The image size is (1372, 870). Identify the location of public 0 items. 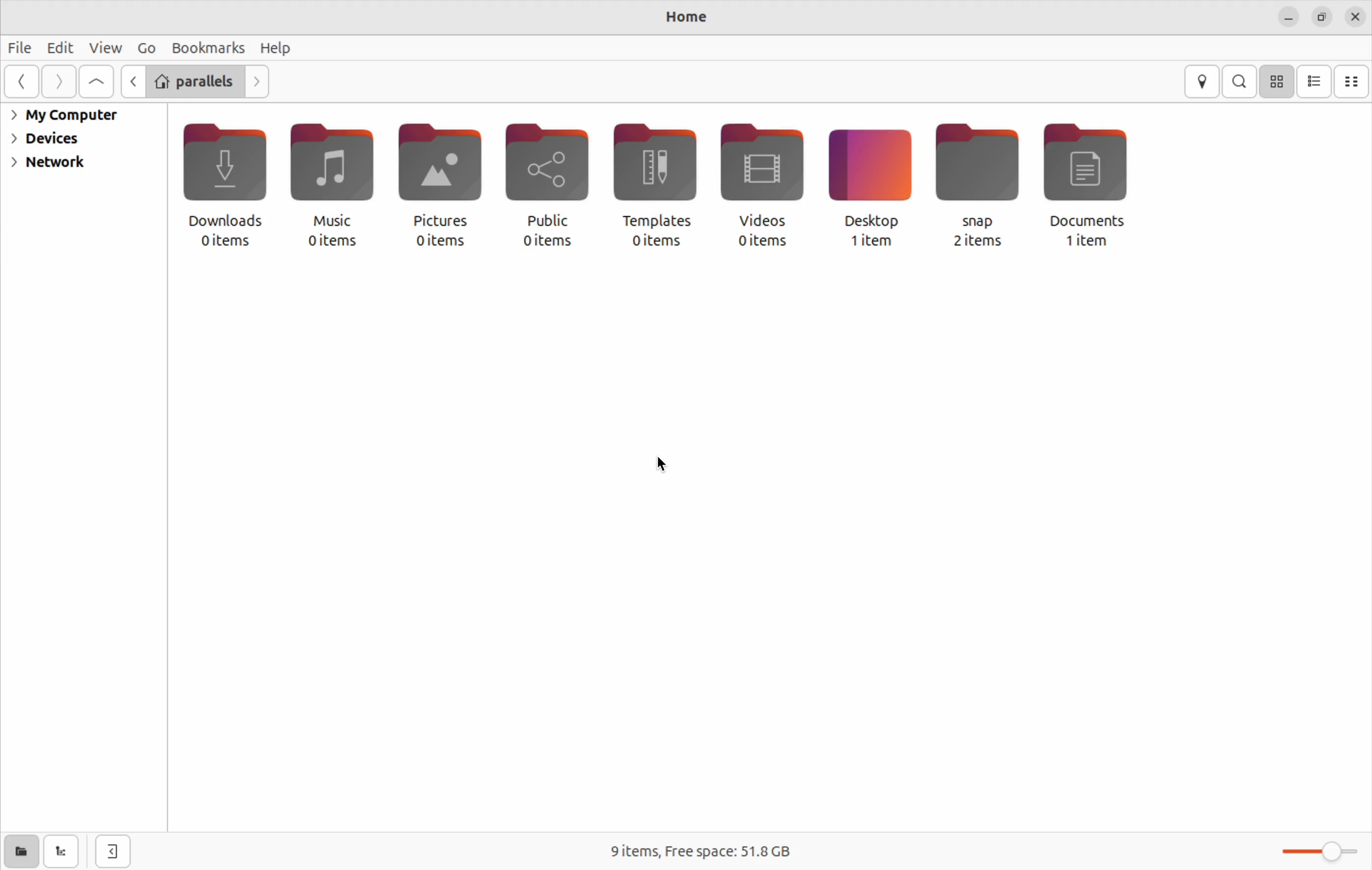
(542, 191).